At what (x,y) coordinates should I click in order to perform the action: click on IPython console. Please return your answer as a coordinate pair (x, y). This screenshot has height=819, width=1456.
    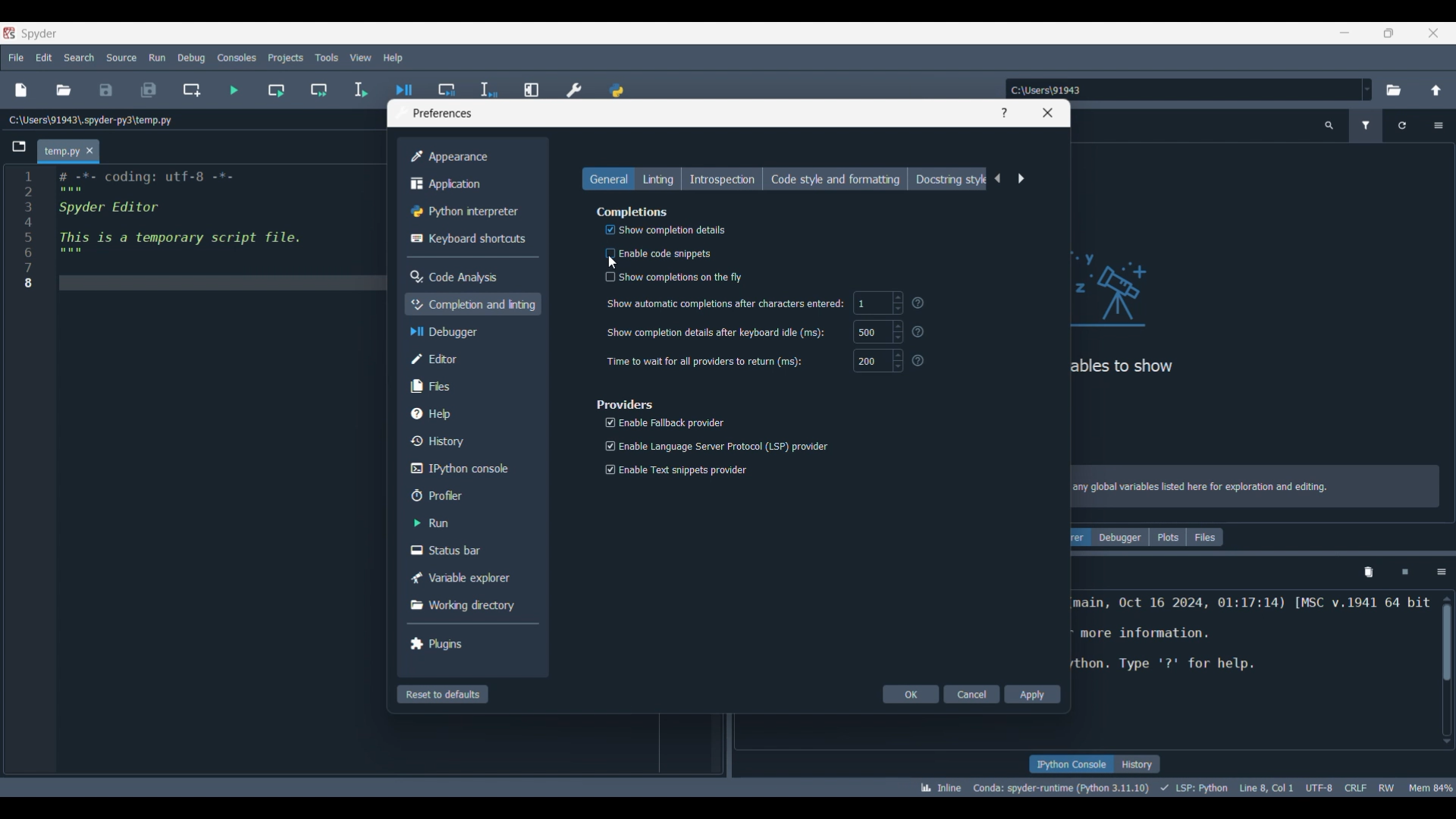
    Looking at the image, I should click on (1071, 764).